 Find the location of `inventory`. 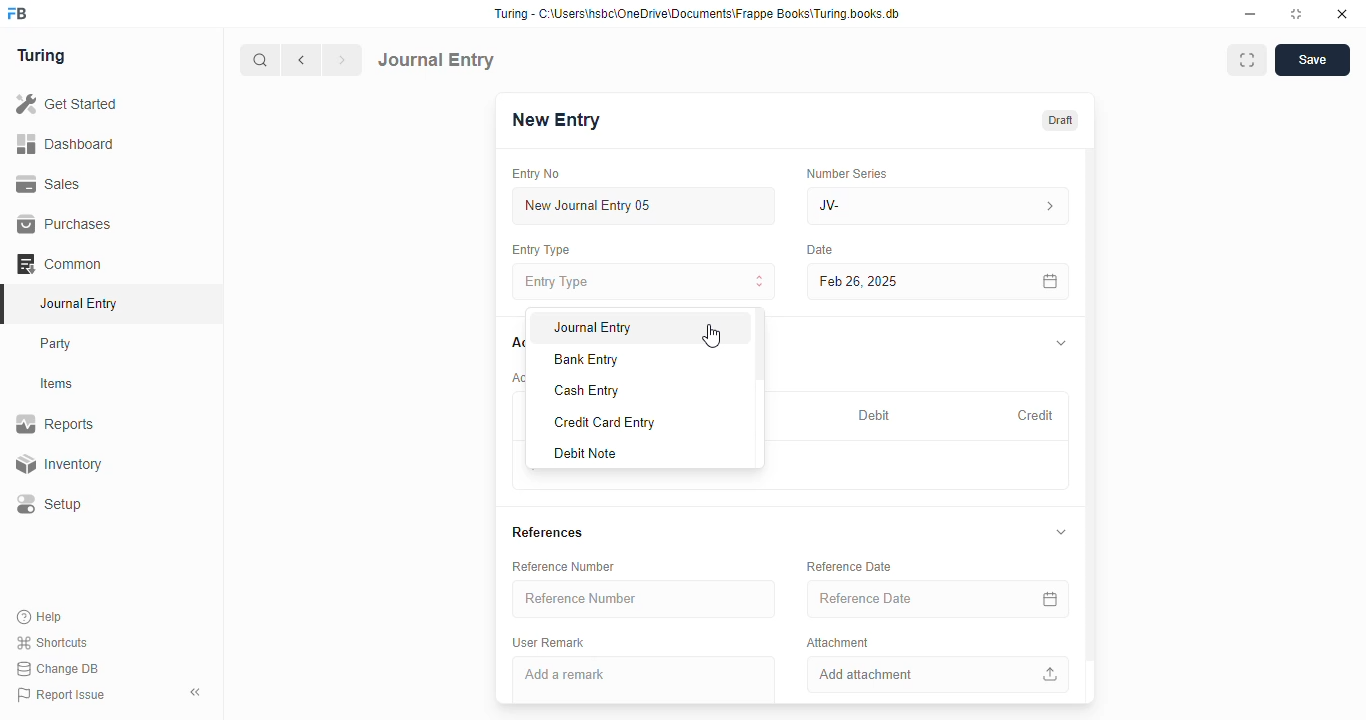

inventory is located at coordinates (58, 464).